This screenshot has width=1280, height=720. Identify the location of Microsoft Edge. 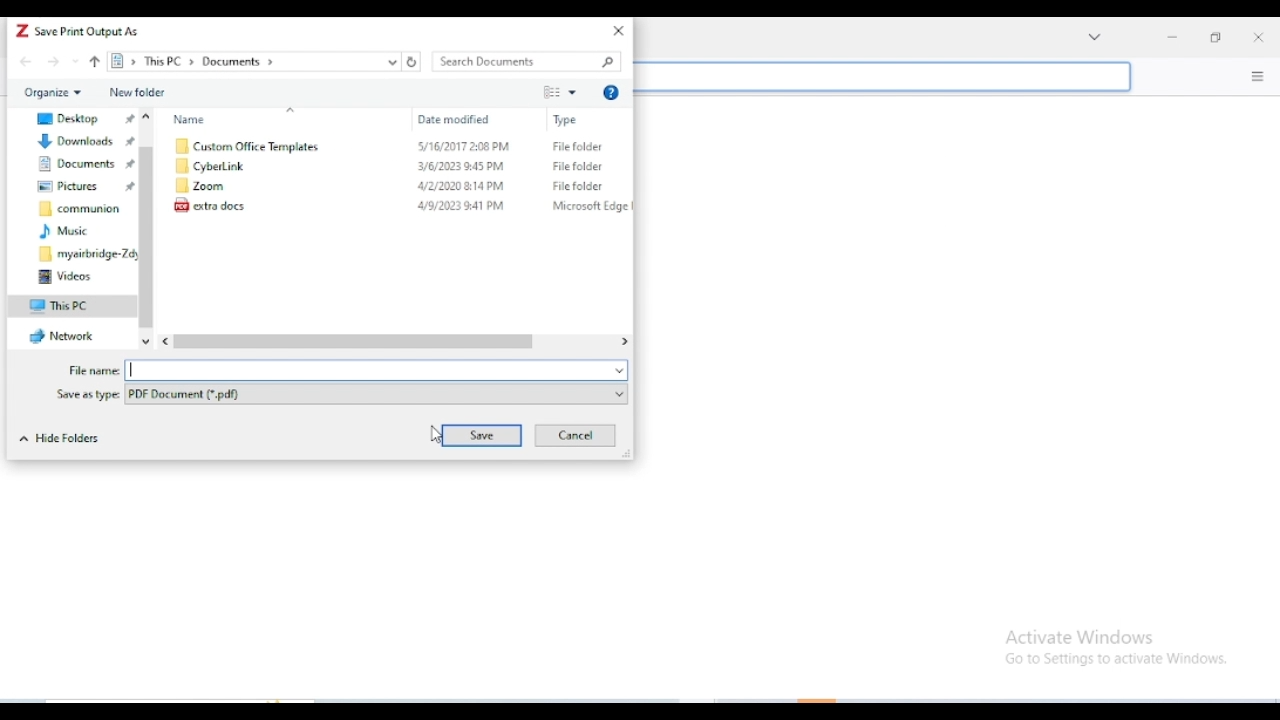
(591, 205).